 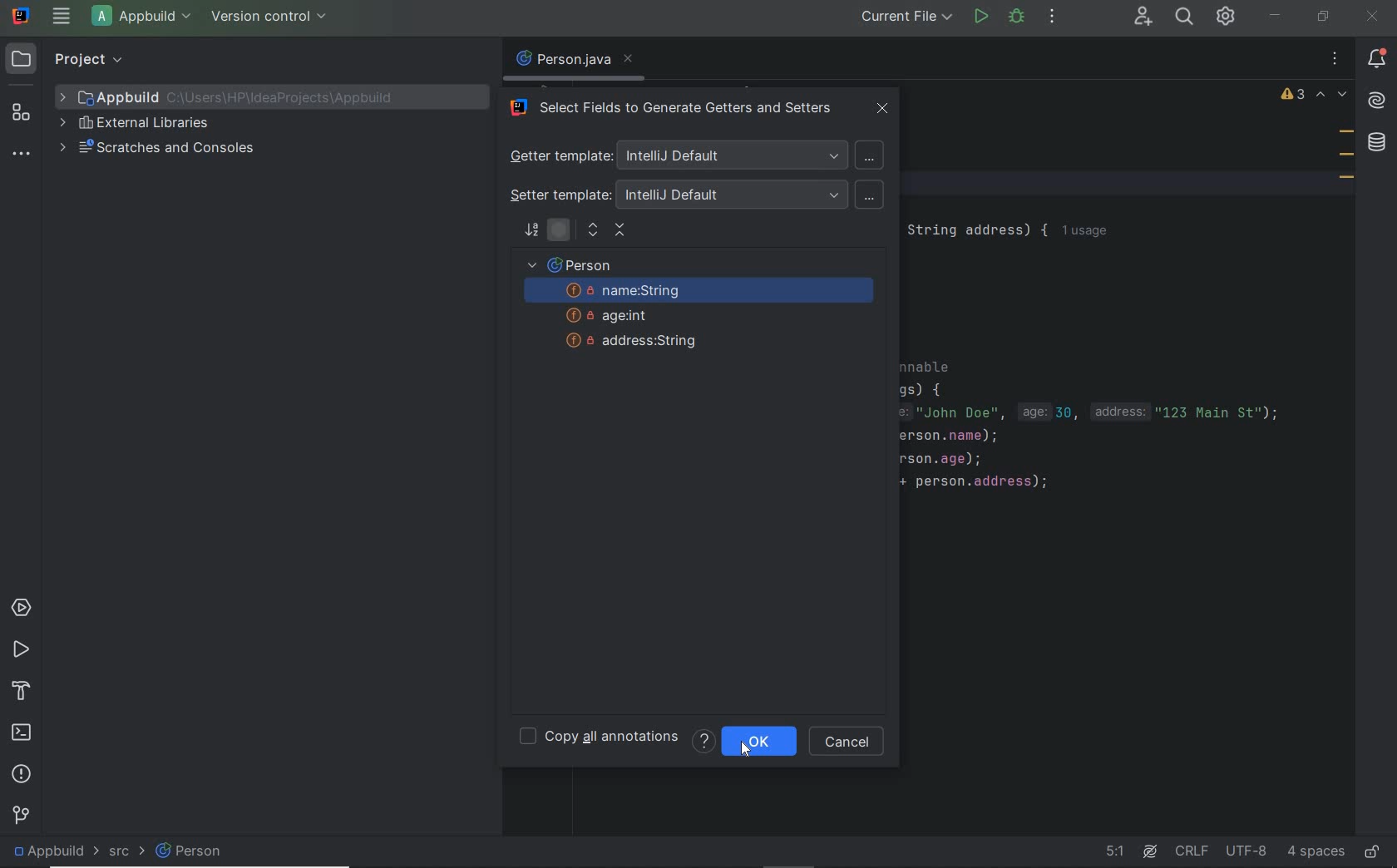 What do you see at coordinates (906, 16) in the screenshot?
I see `run/debug configurations: current file` at bounding box center [906, 16].